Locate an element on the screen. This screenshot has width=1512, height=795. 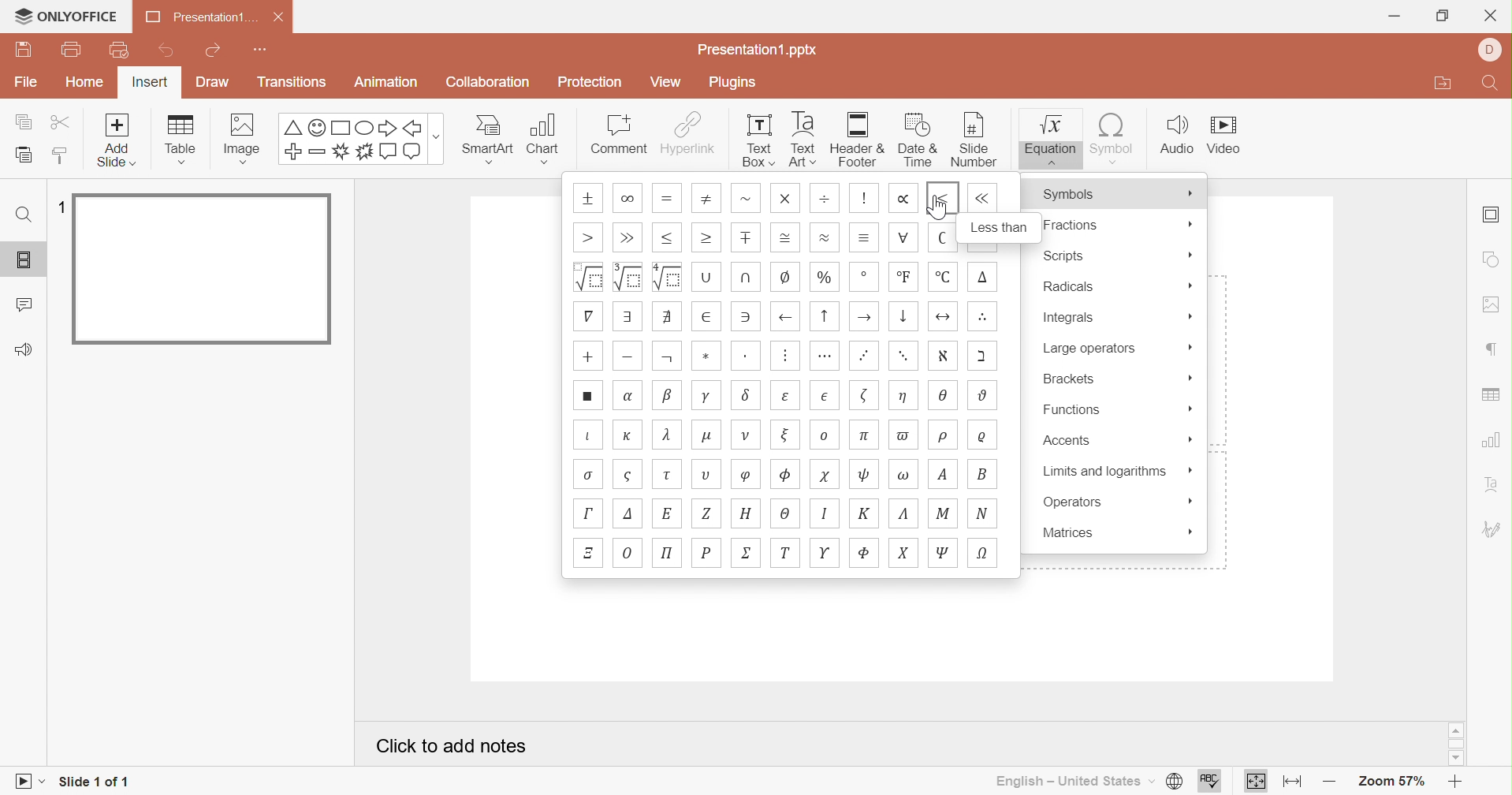
Zoom in is located at coordinates (1456, 783).